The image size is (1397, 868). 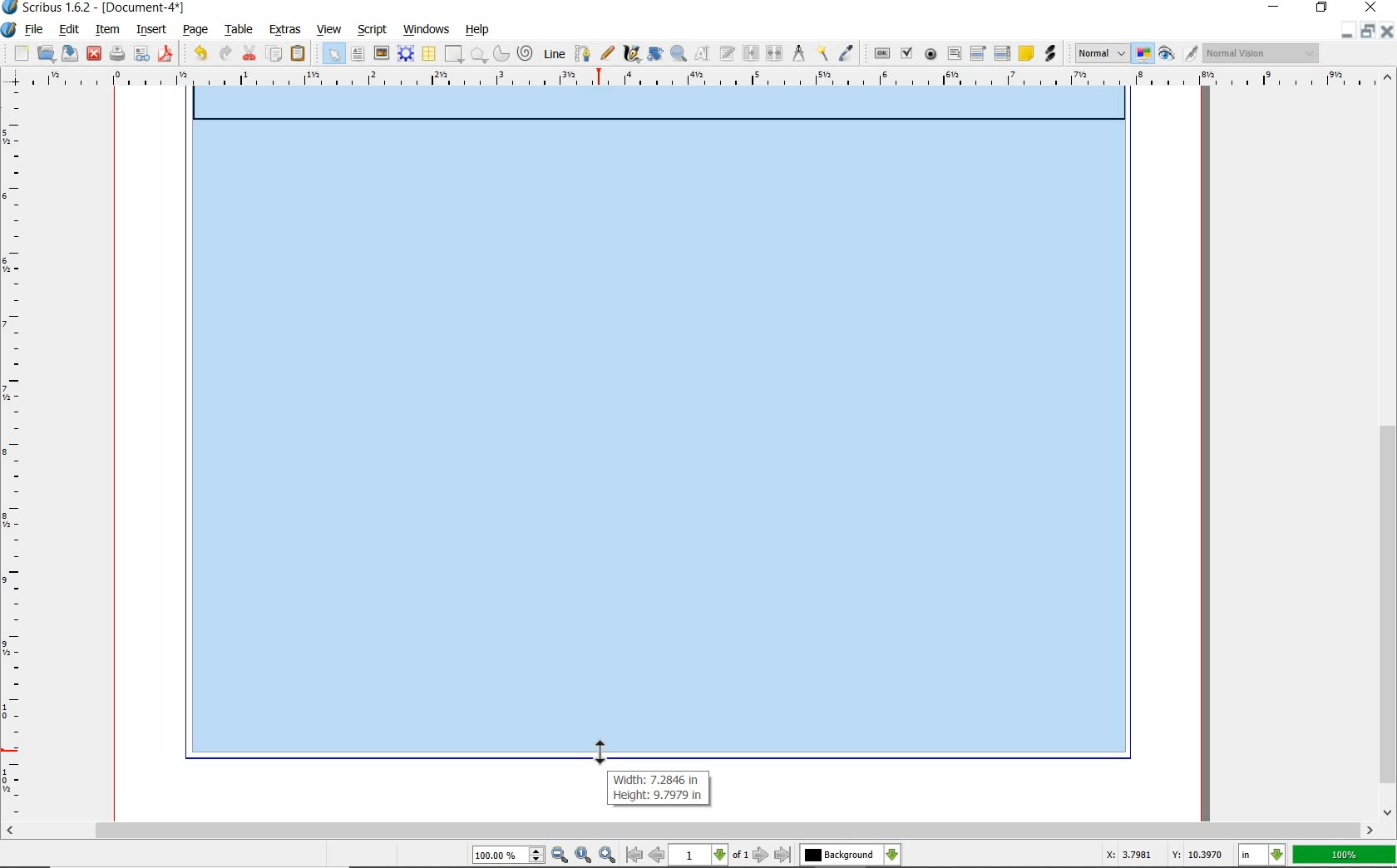 What do you see at coordinates (1178, 55) in the screenshot?
I see `preview mode` at bounding box center [1178, 55].